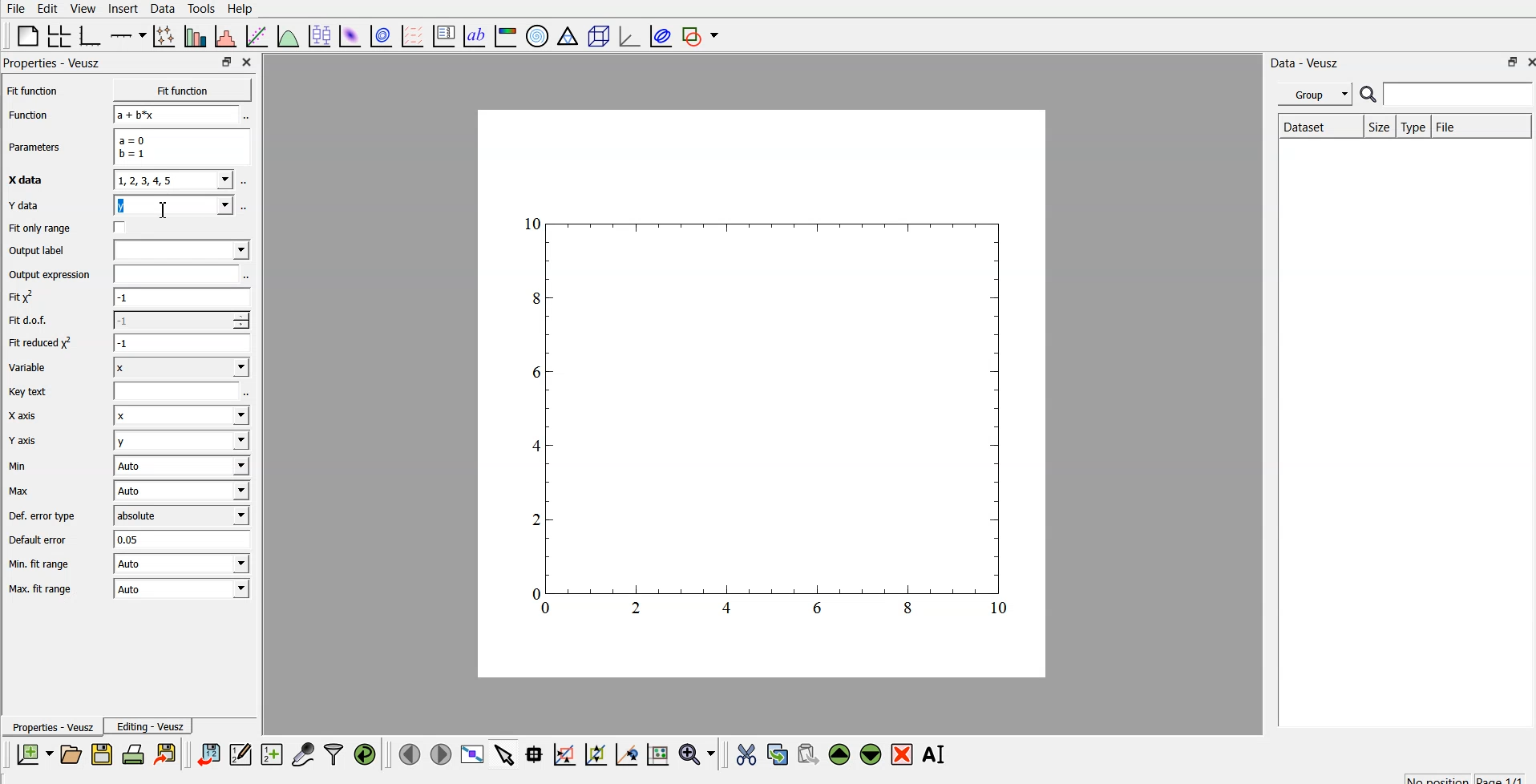 The height and width of the screenshot is (784, 1536). Describe the element at coordinates (632, 37) in the screenshot. I see `3d graph` at that location.